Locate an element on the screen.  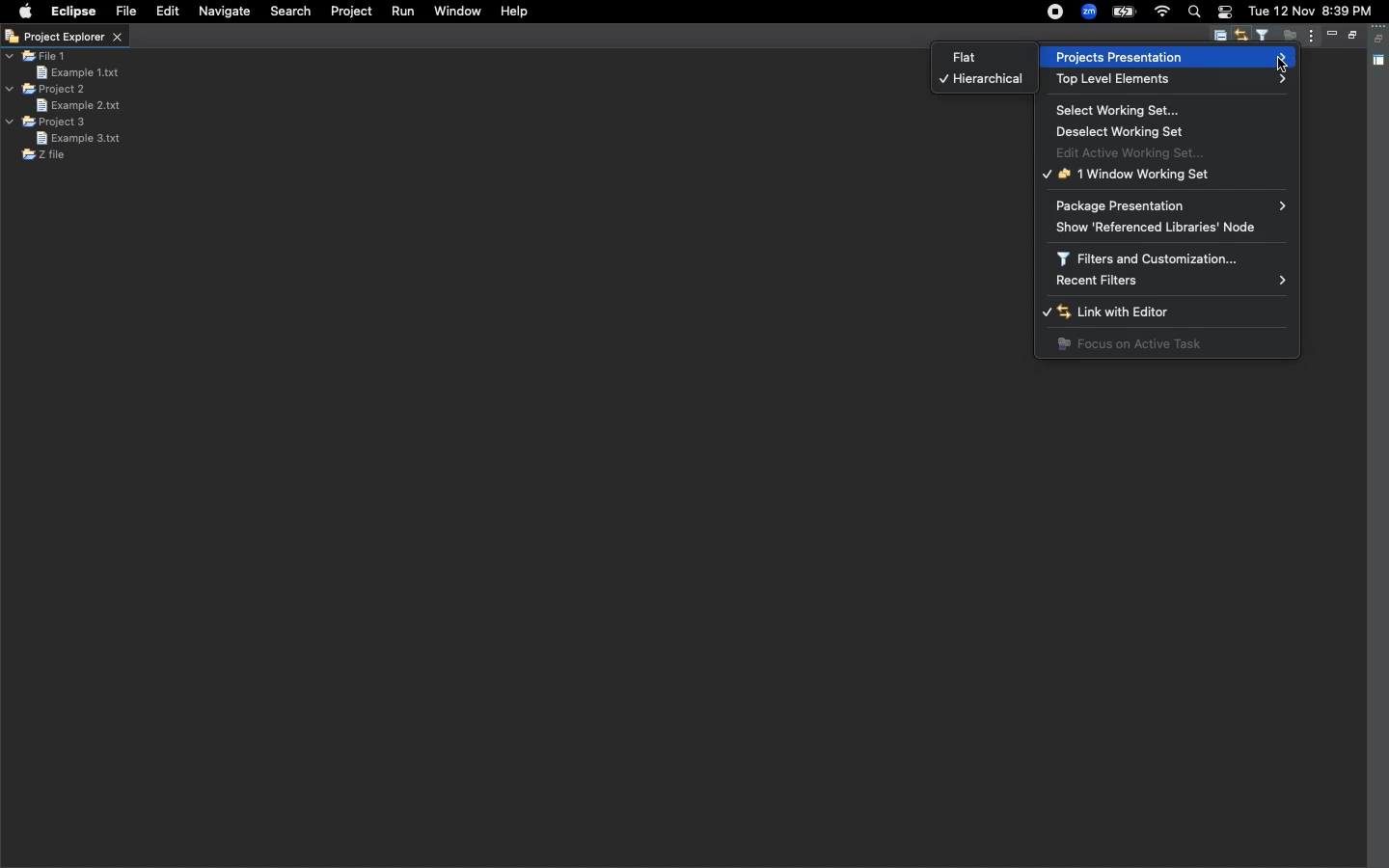
Internet is located at coordinates (1162, 12).